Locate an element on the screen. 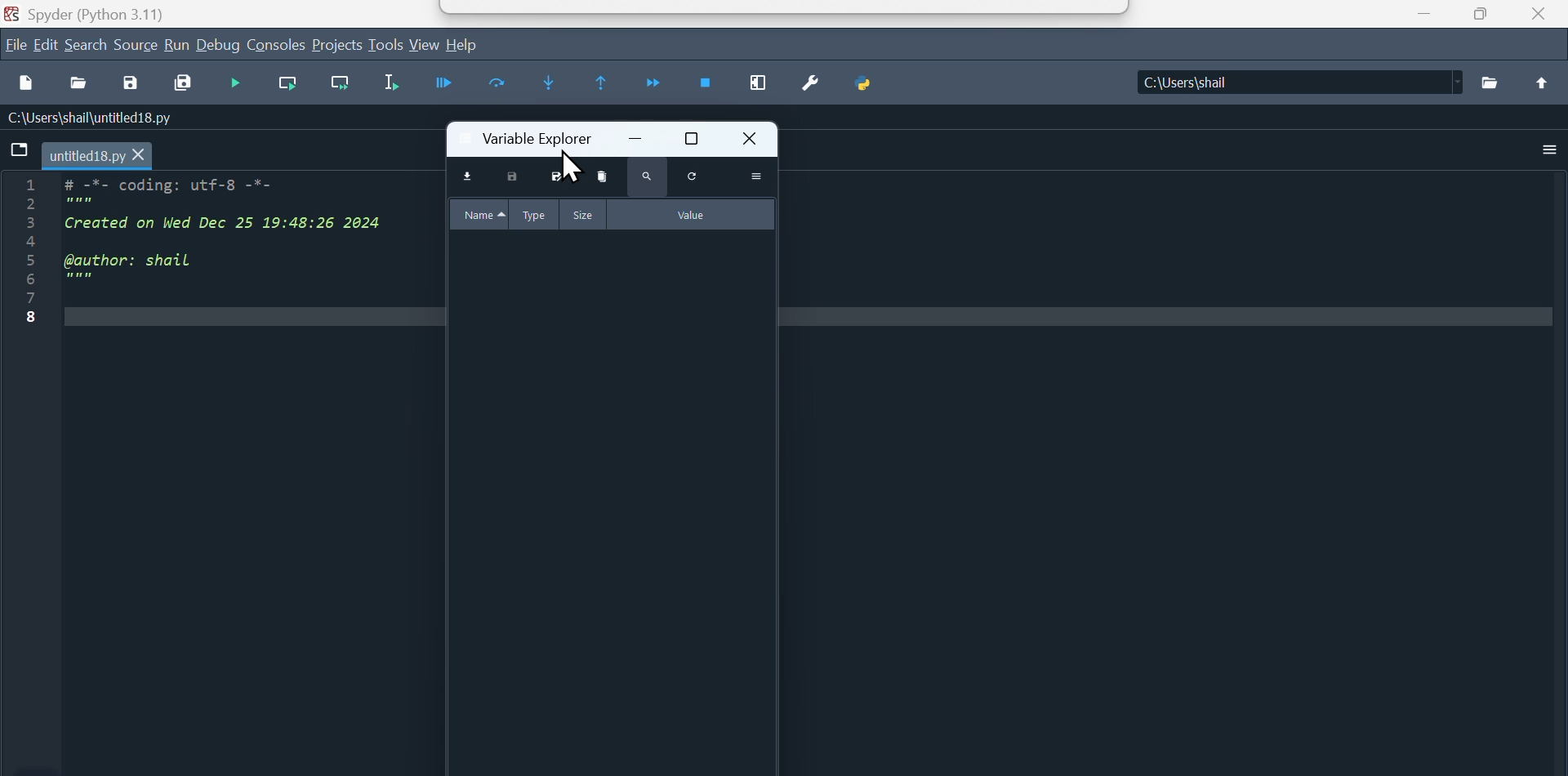 Image resolution: width=1568 pixels, height=776 pixels. View is located at coordinates (423, 45).